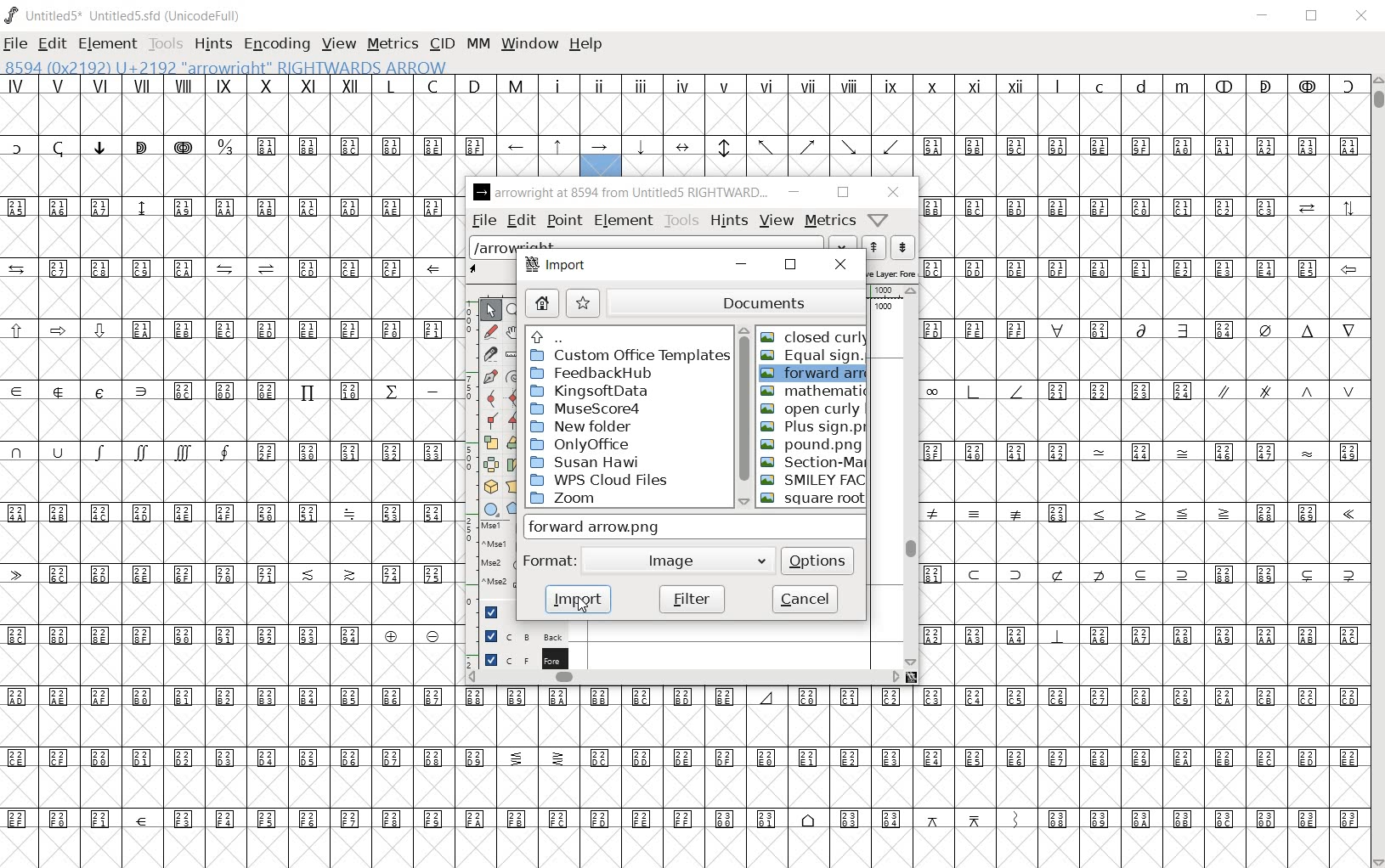  Describe the element at coordinates (840, 193) in the screenshot. I see `restore` at that location.